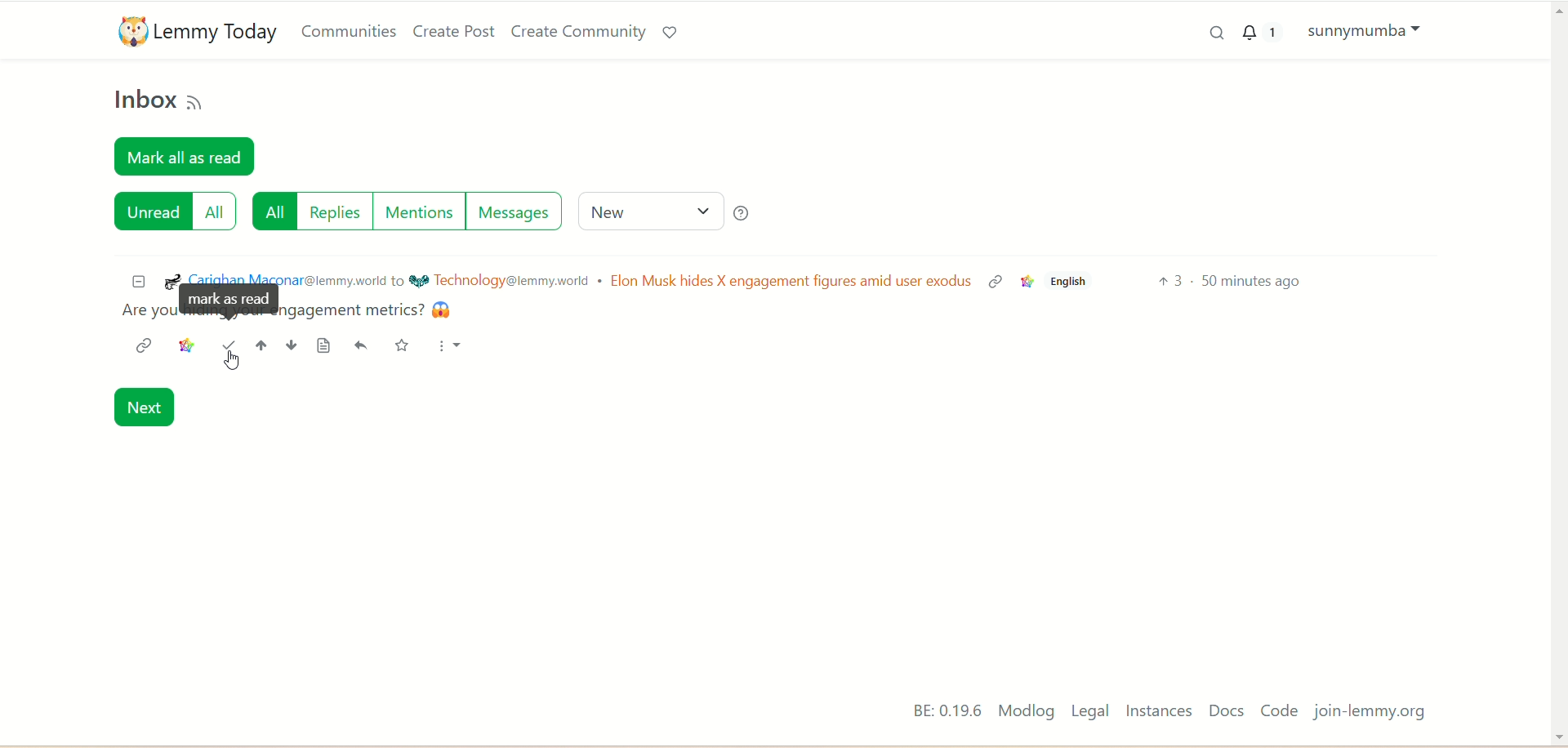  Describe the element at coordinates (1026, 712) in the screenshot. I see `Modlog` at that location.